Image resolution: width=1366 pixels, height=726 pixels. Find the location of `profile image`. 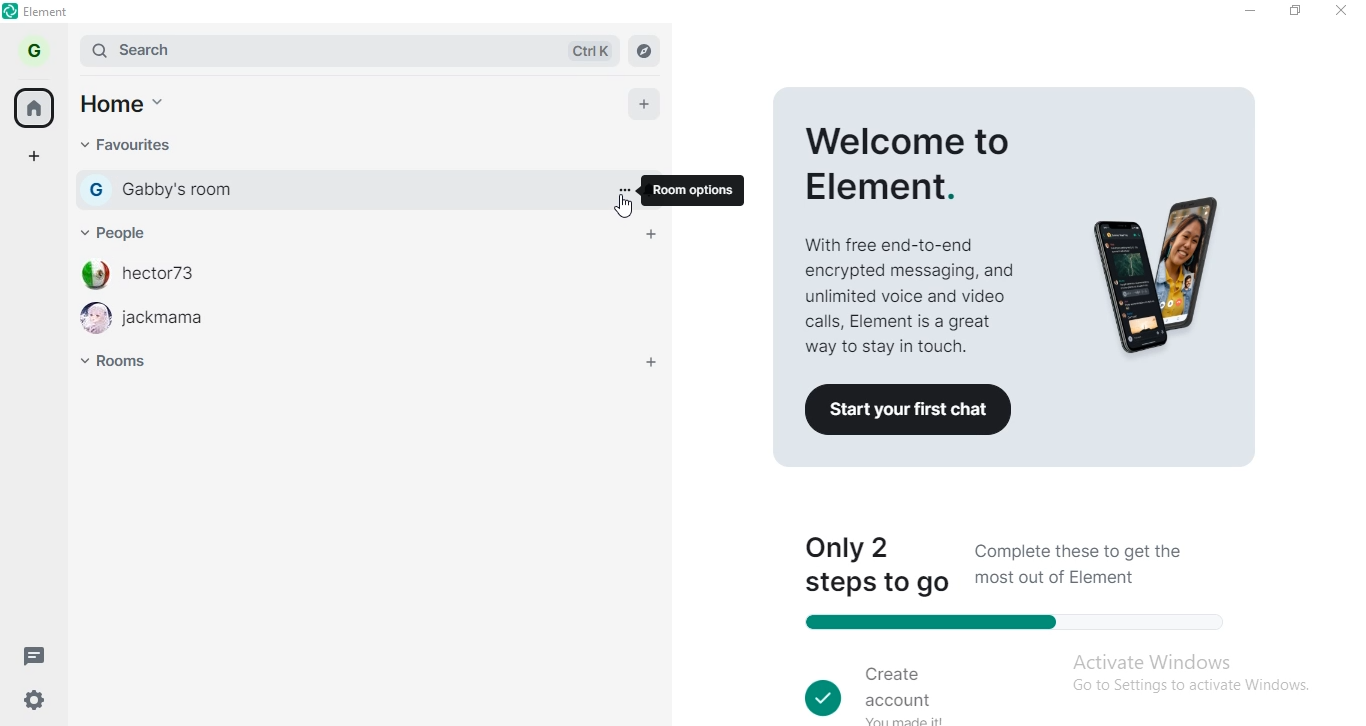

profile image is located at coordinates (94, 322).